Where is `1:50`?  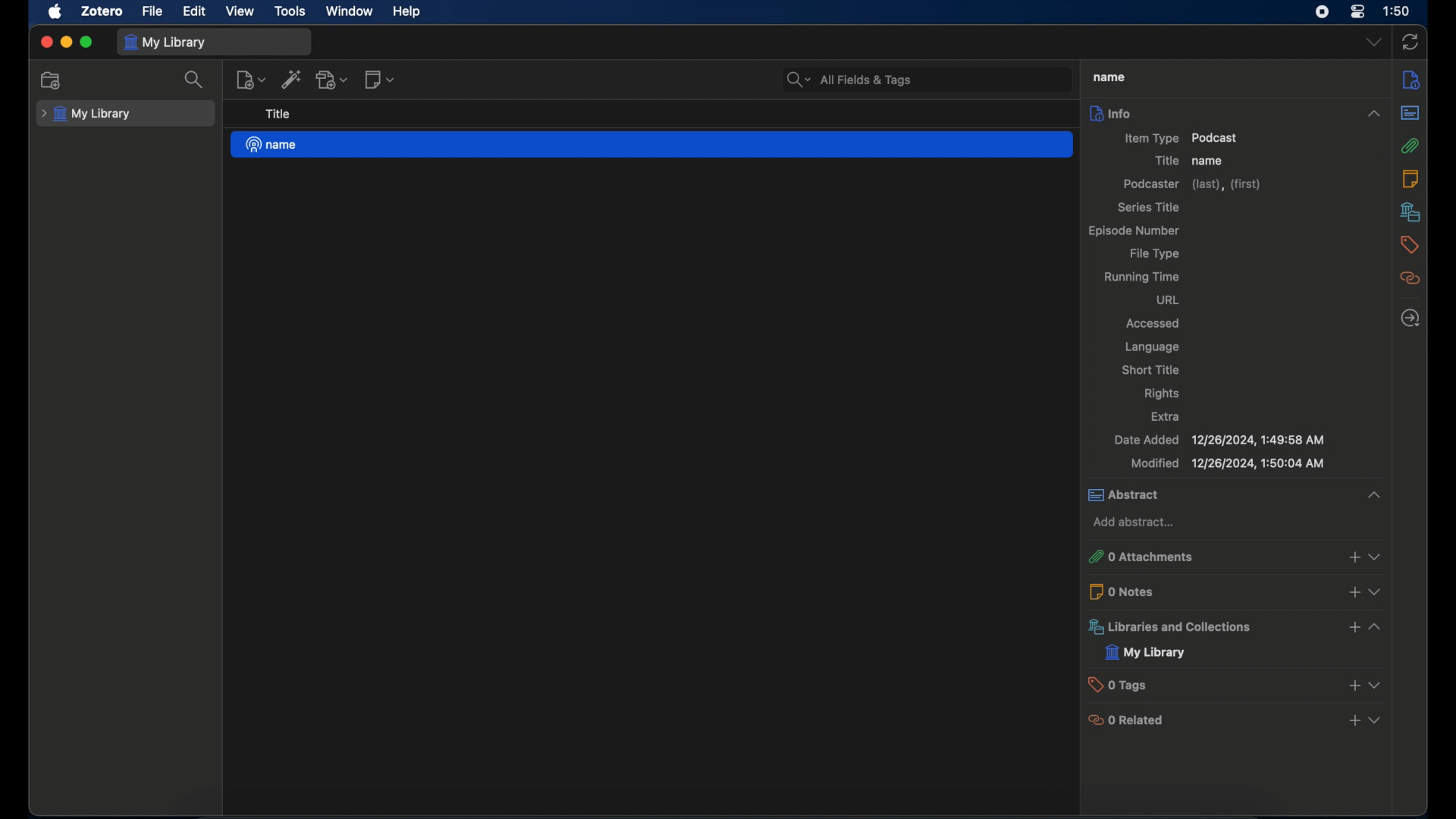
1:50 is located at coordinates (1397, 10).